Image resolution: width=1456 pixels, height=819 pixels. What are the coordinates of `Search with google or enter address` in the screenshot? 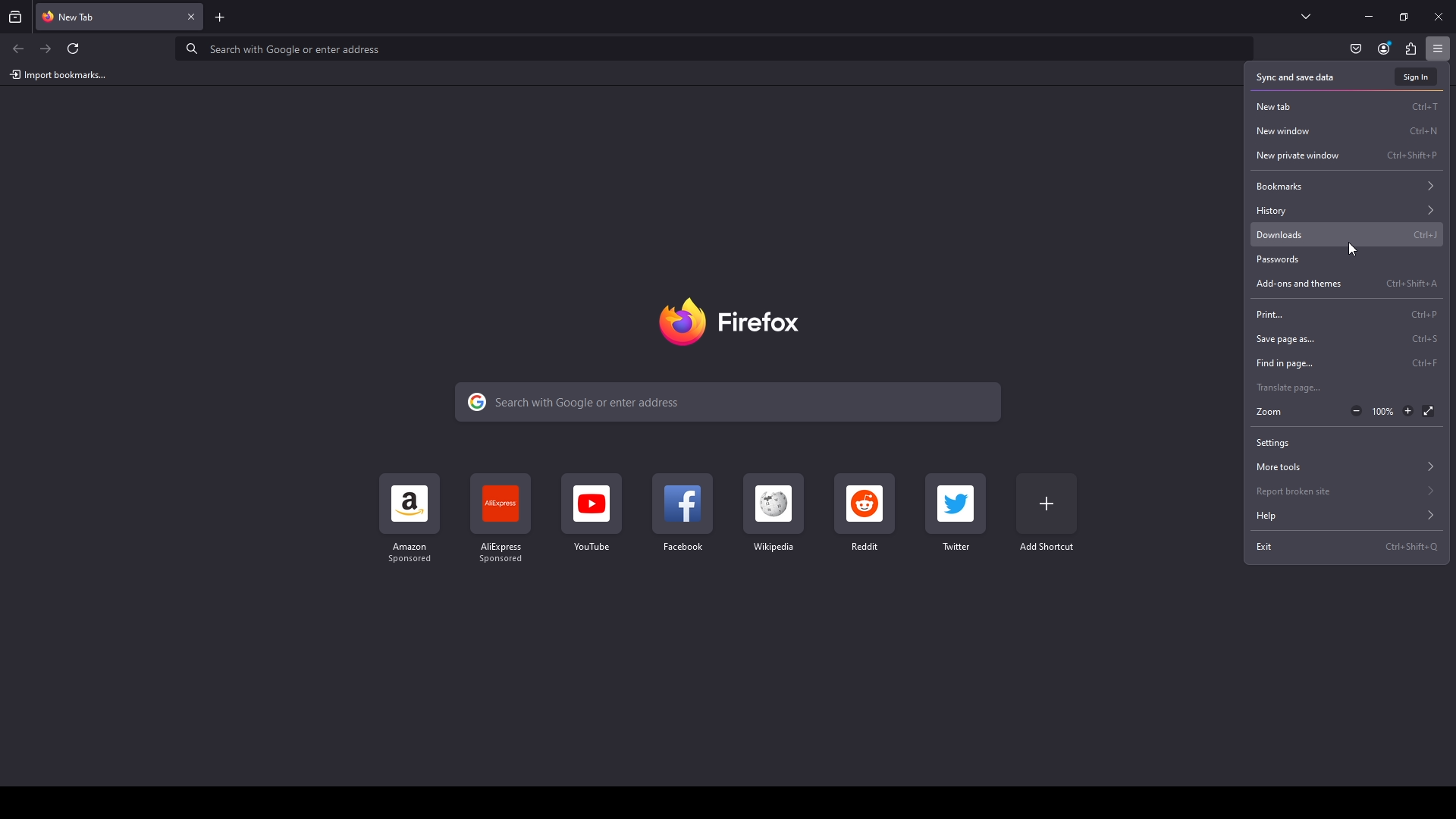 It's located at (720, 52).